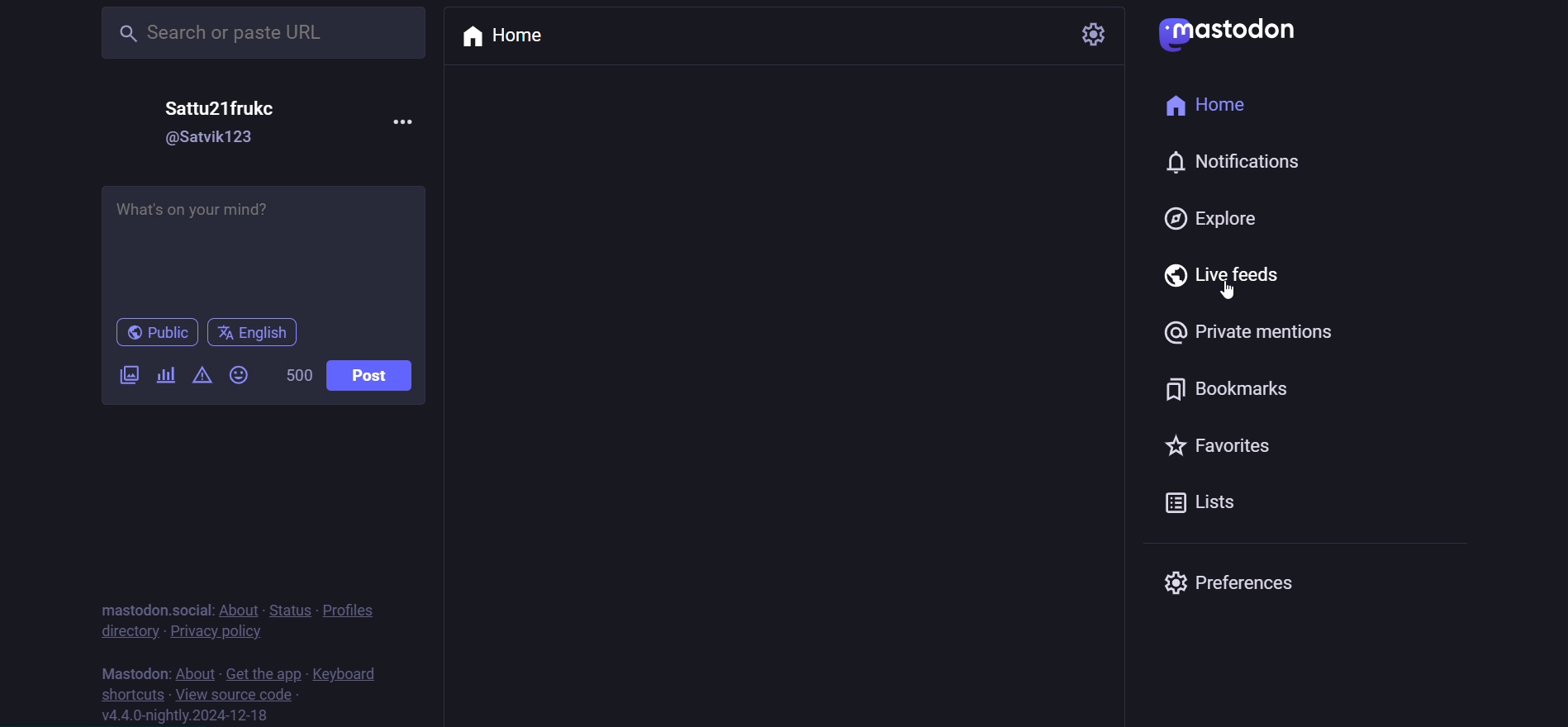  Describe the element at coordinates (1213, 273) in the screenshot. I see `live feed` at that location.